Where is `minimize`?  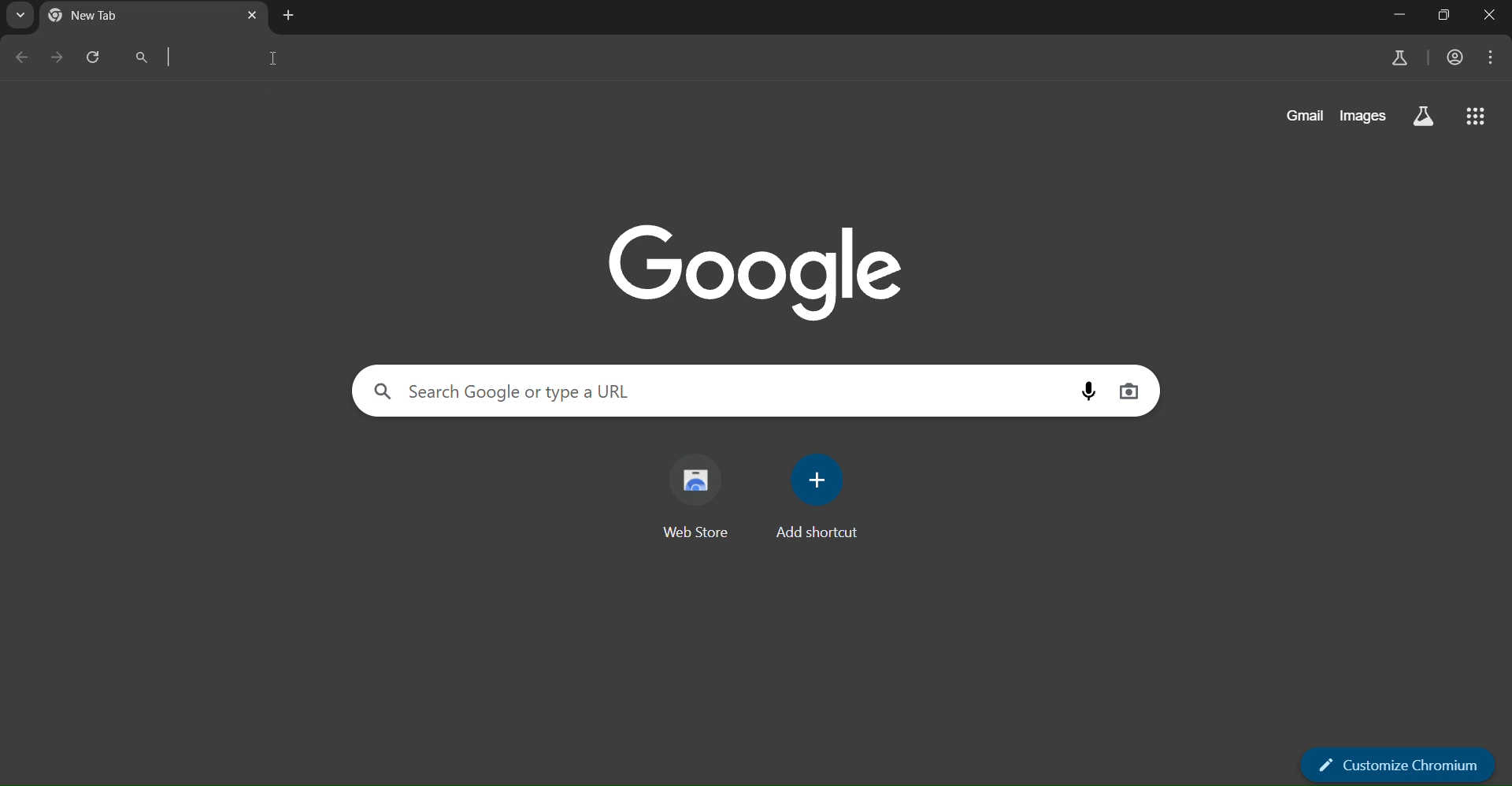 minimize is located at coordinates (1403, 15).